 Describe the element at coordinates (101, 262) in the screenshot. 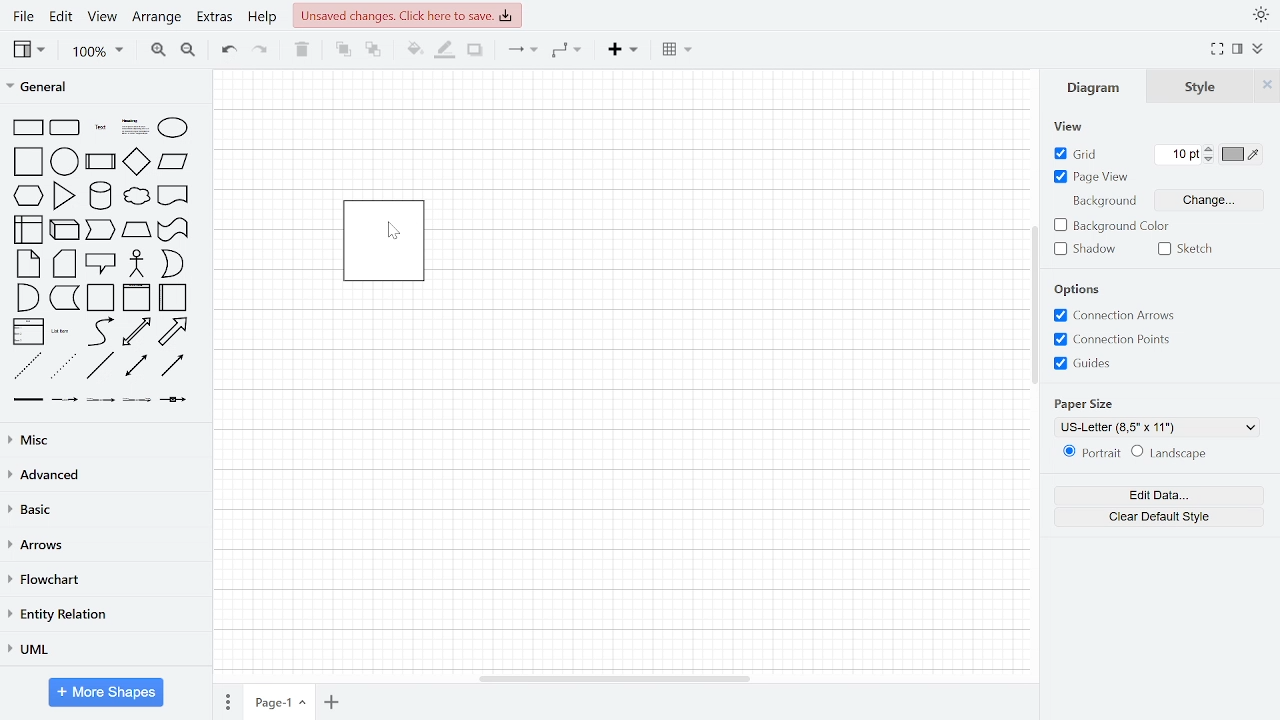

I see `callout` at that location.